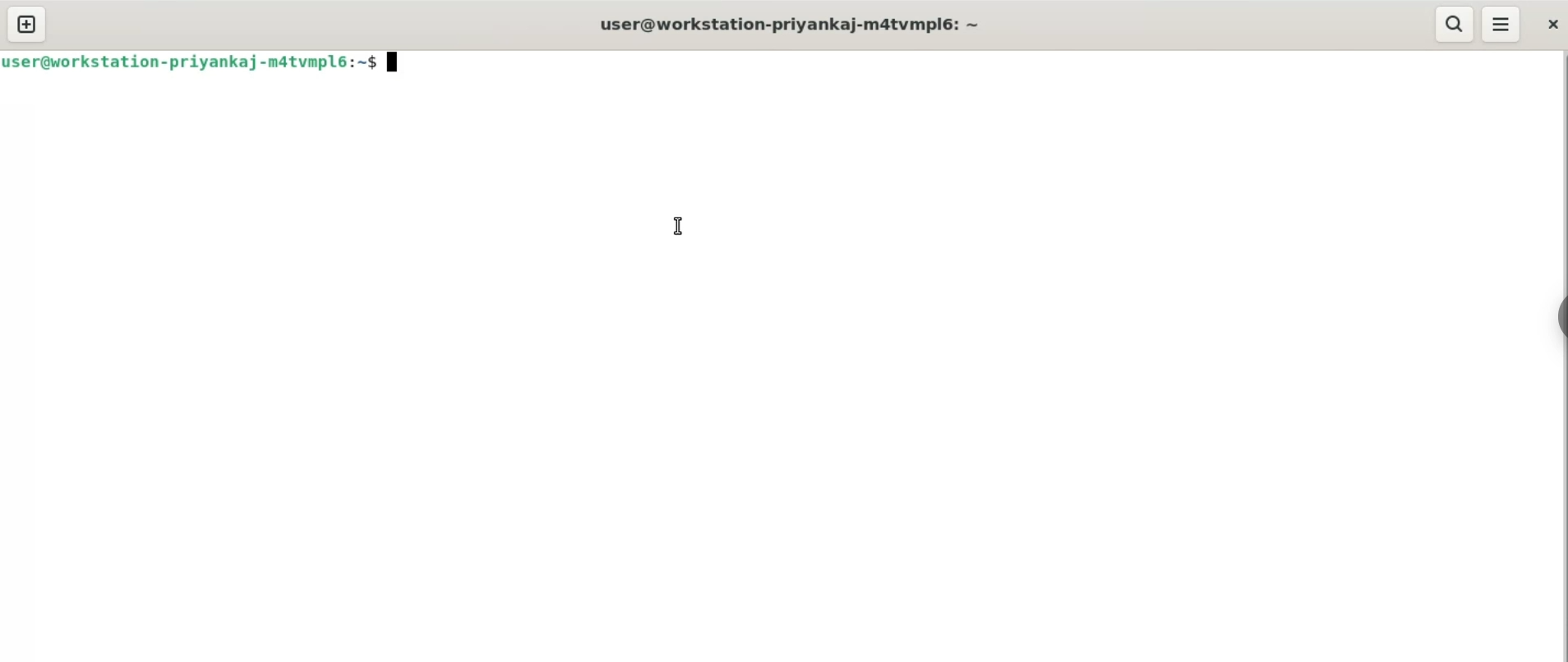 The width and height of the screenshot is (1568, 662). What do you see at coordinates (396, 64) in the screenshot?
I see `typing indicator cursor` at bounding box center [396, 64].